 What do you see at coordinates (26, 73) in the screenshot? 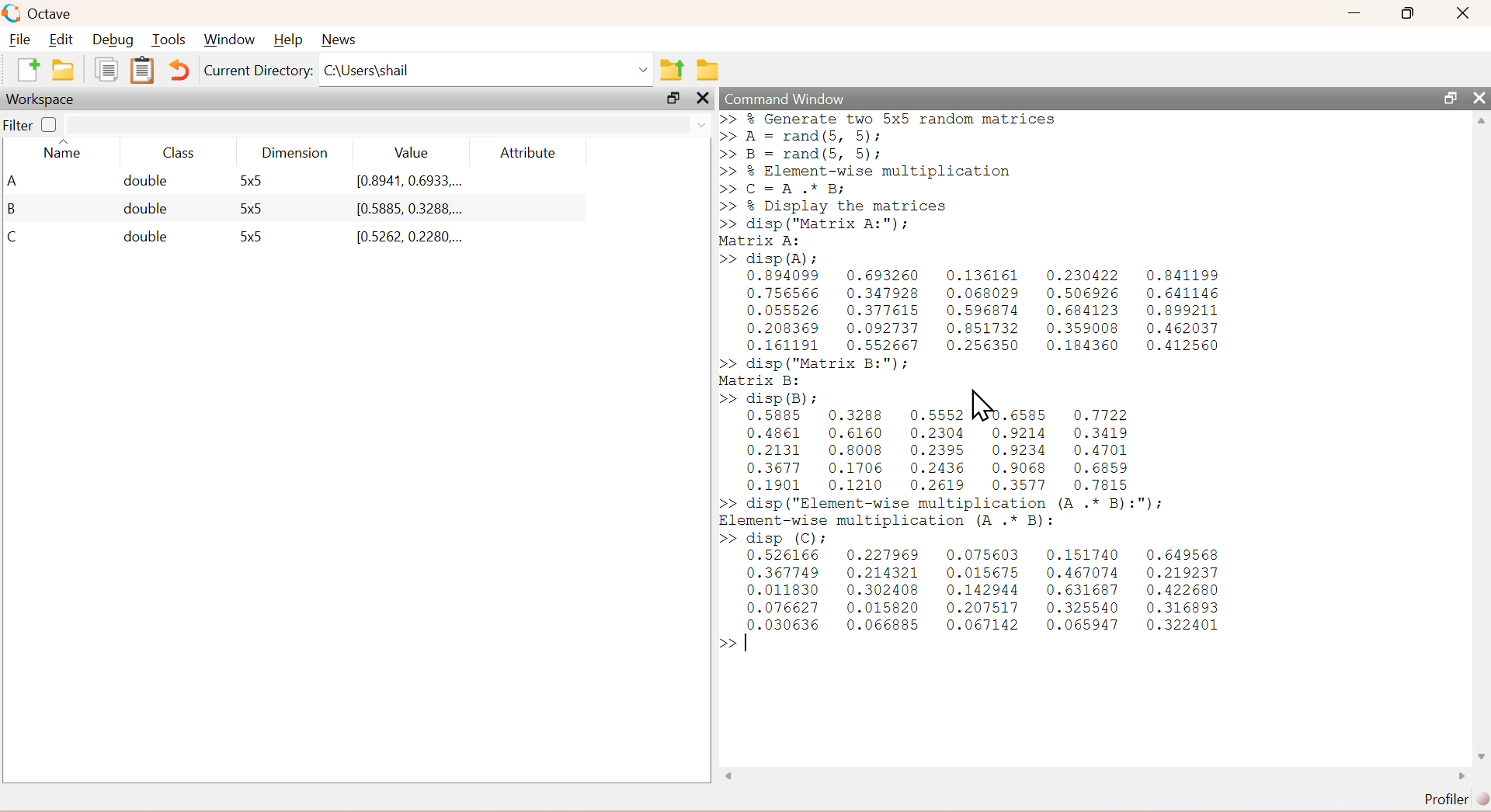
I see `New script` at bounding box center [26, 73].